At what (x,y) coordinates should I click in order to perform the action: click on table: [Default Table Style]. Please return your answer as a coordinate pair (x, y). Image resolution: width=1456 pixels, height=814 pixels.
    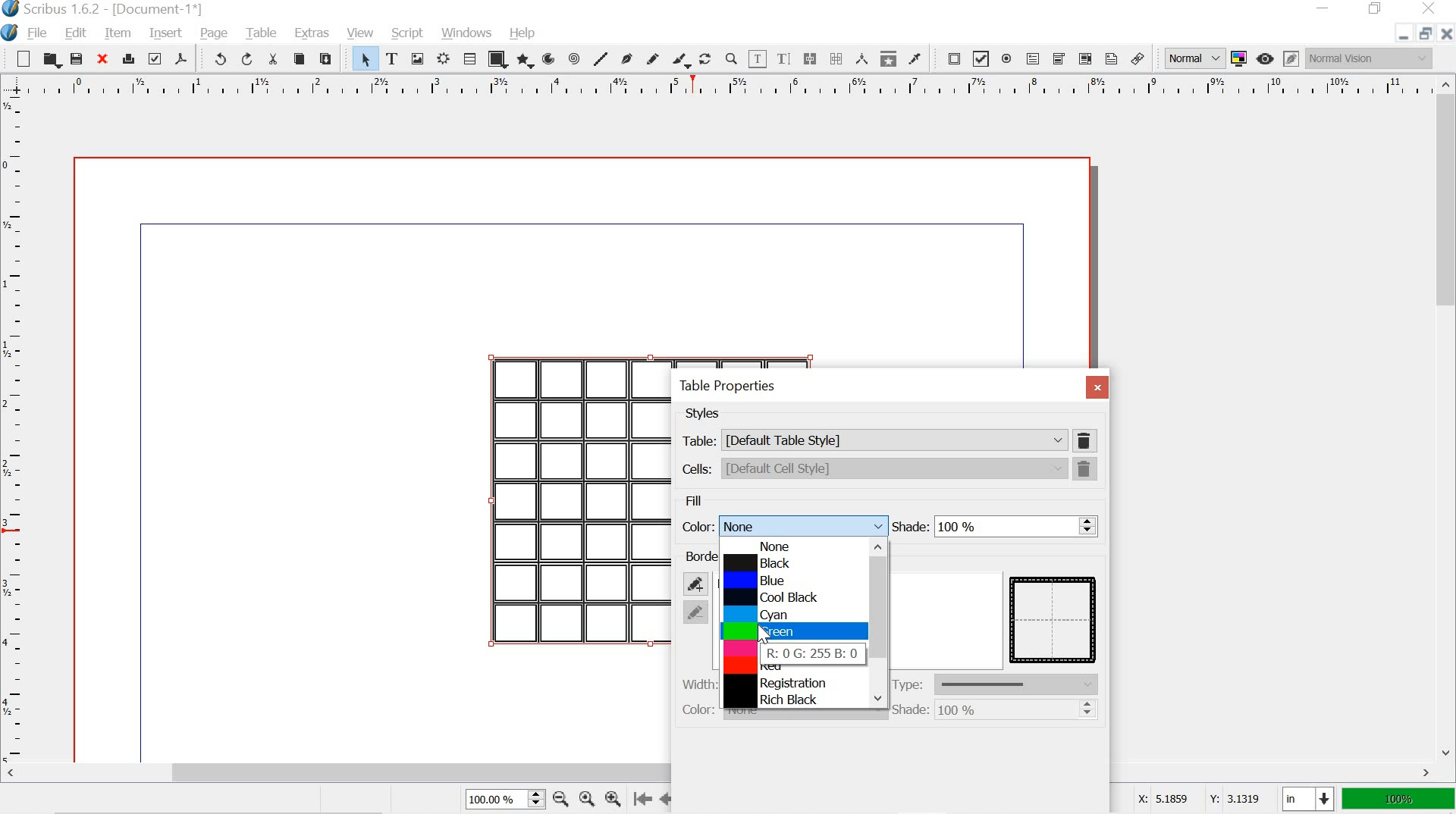
    Looking at the image, I should click on (873, 440).